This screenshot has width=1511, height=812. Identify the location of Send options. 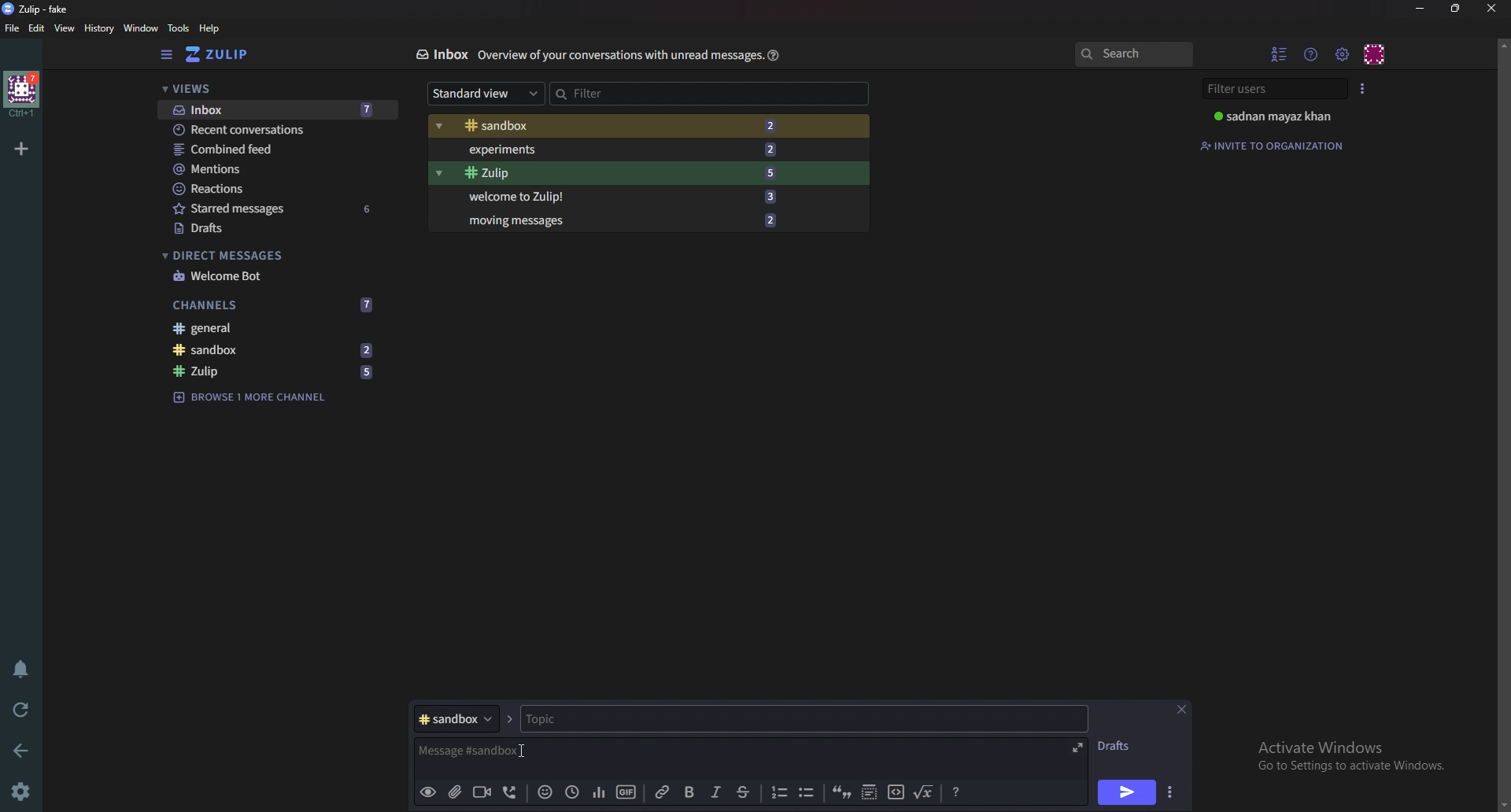
(1169, 794).